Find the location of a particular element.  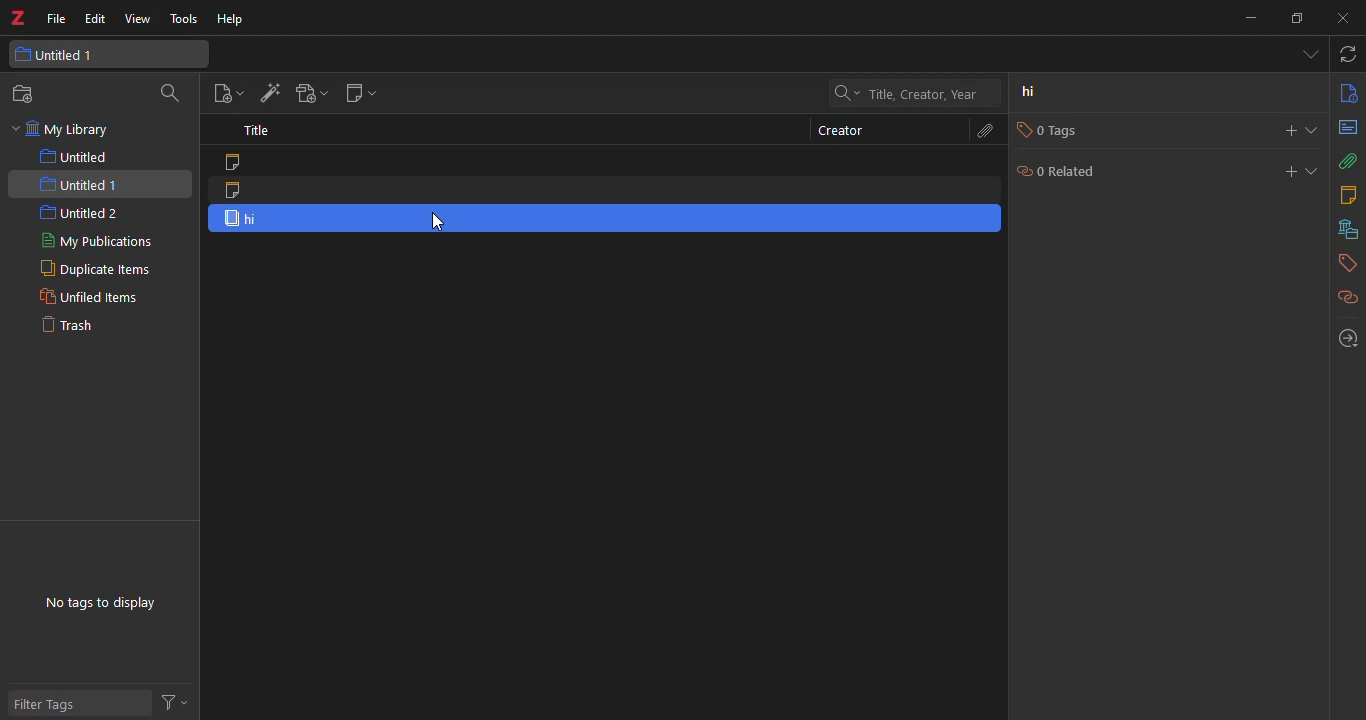

edit is located at coordinates (92, 20).